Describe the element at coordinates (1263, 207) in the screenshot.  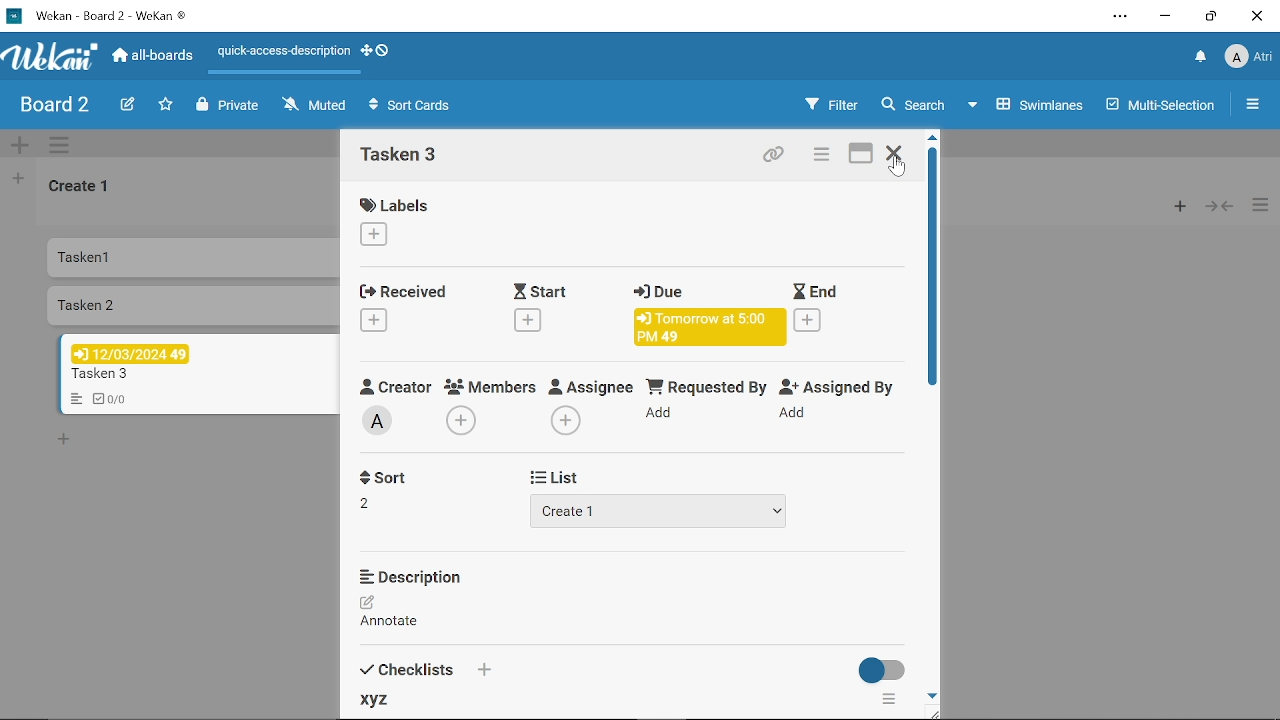
I see `More` at that location.